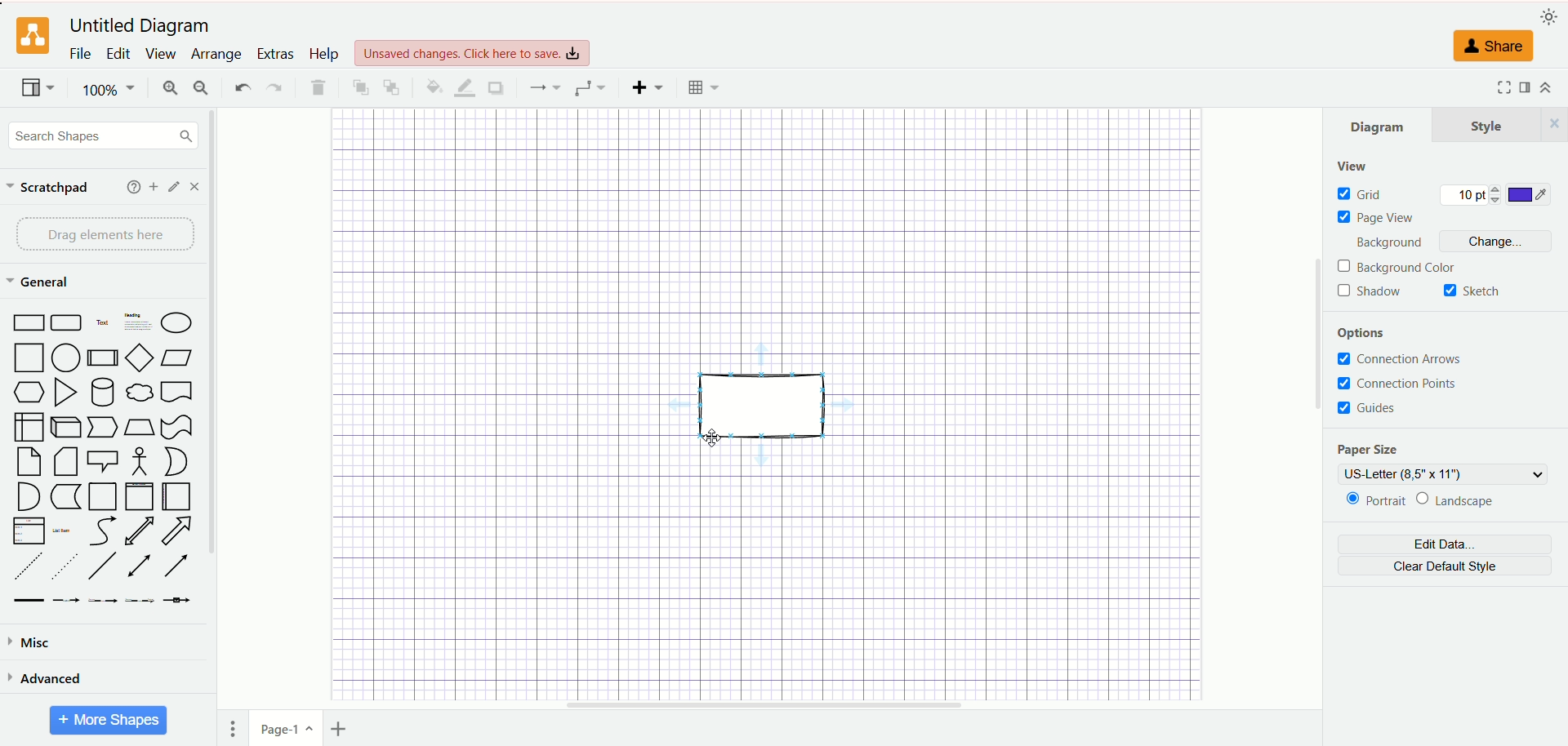 The height and width of the screenshot is (746, 1568). Describe the element at coordinates (139, 26) in the screenshot. I see `Untitled Diagram` at that location.